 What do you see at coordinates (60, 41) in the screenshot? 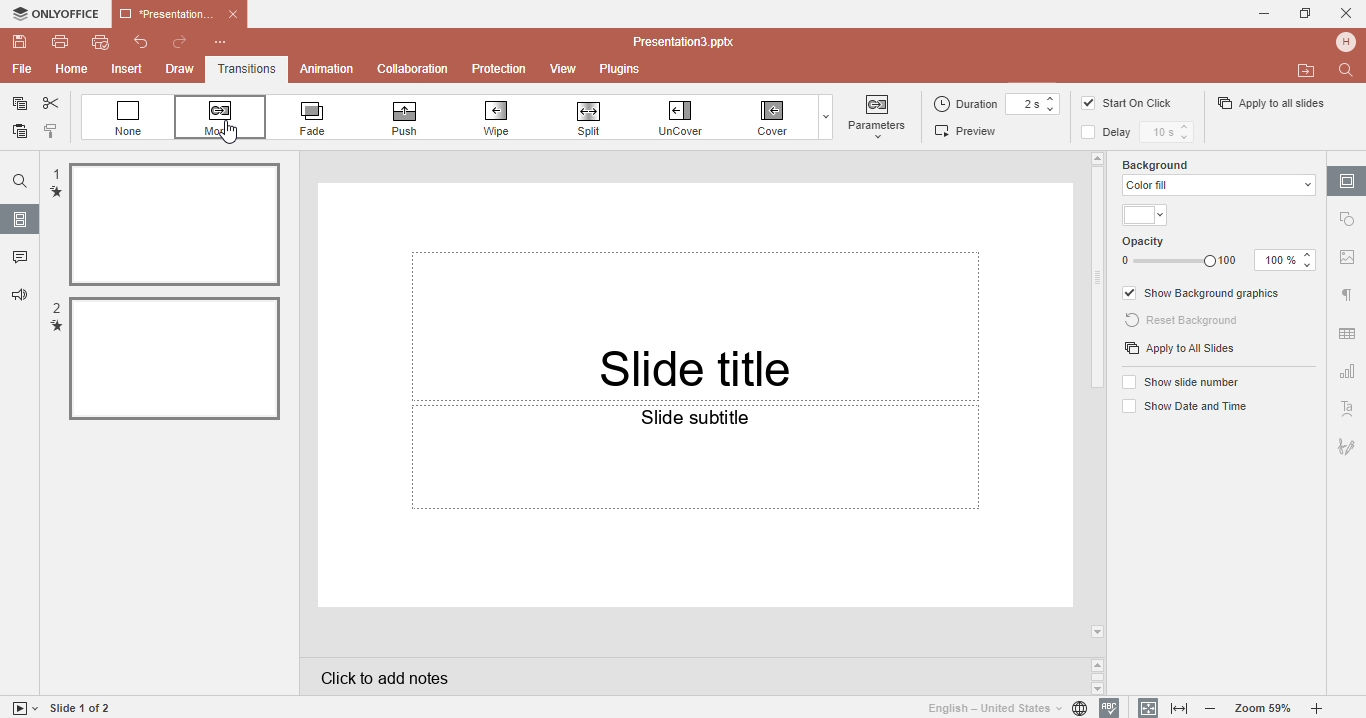
I see `Print file` at bounding box center [60, 41].